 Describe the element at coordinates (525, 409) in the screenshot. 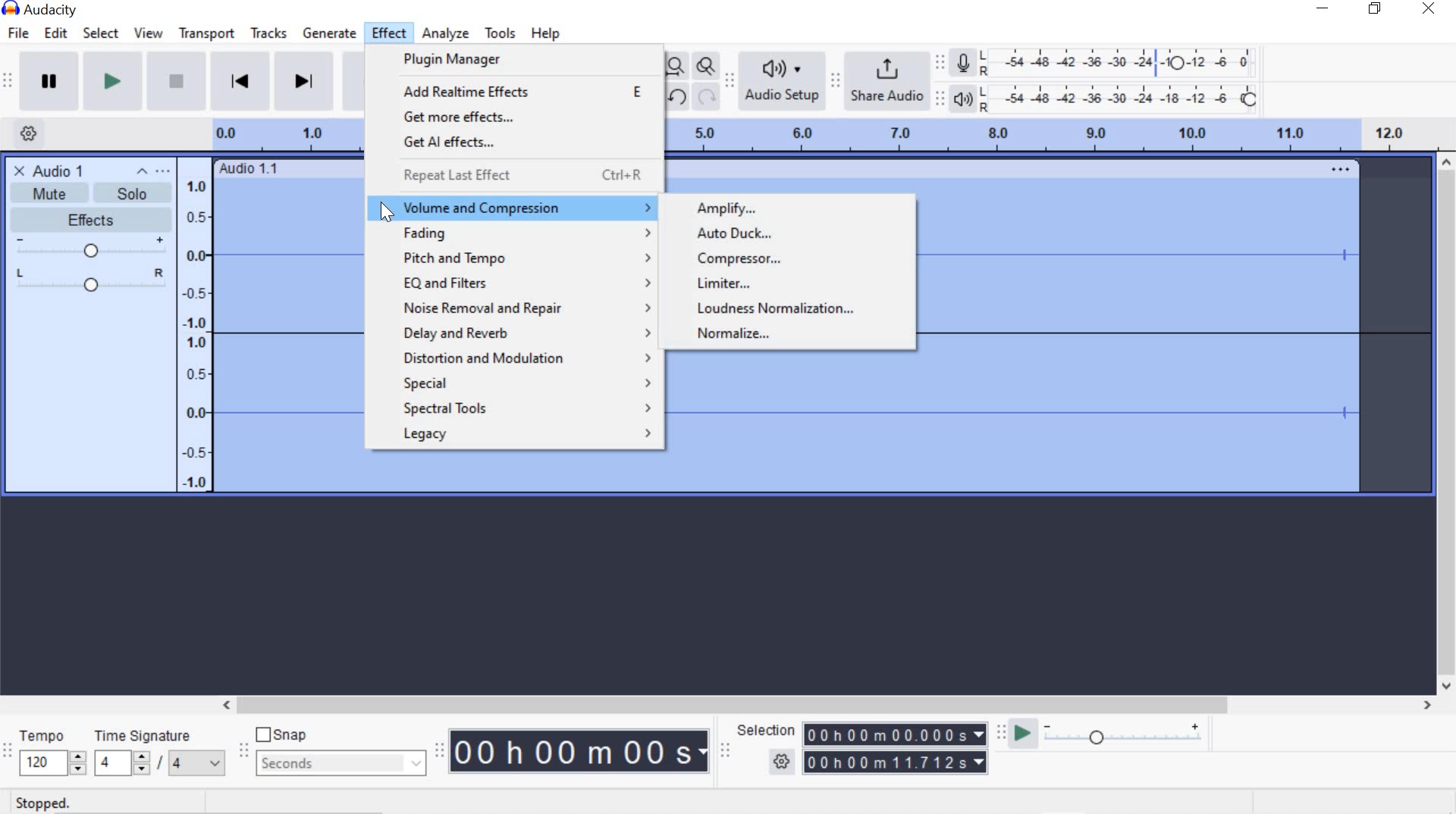

I see `spectral tools` at that location.